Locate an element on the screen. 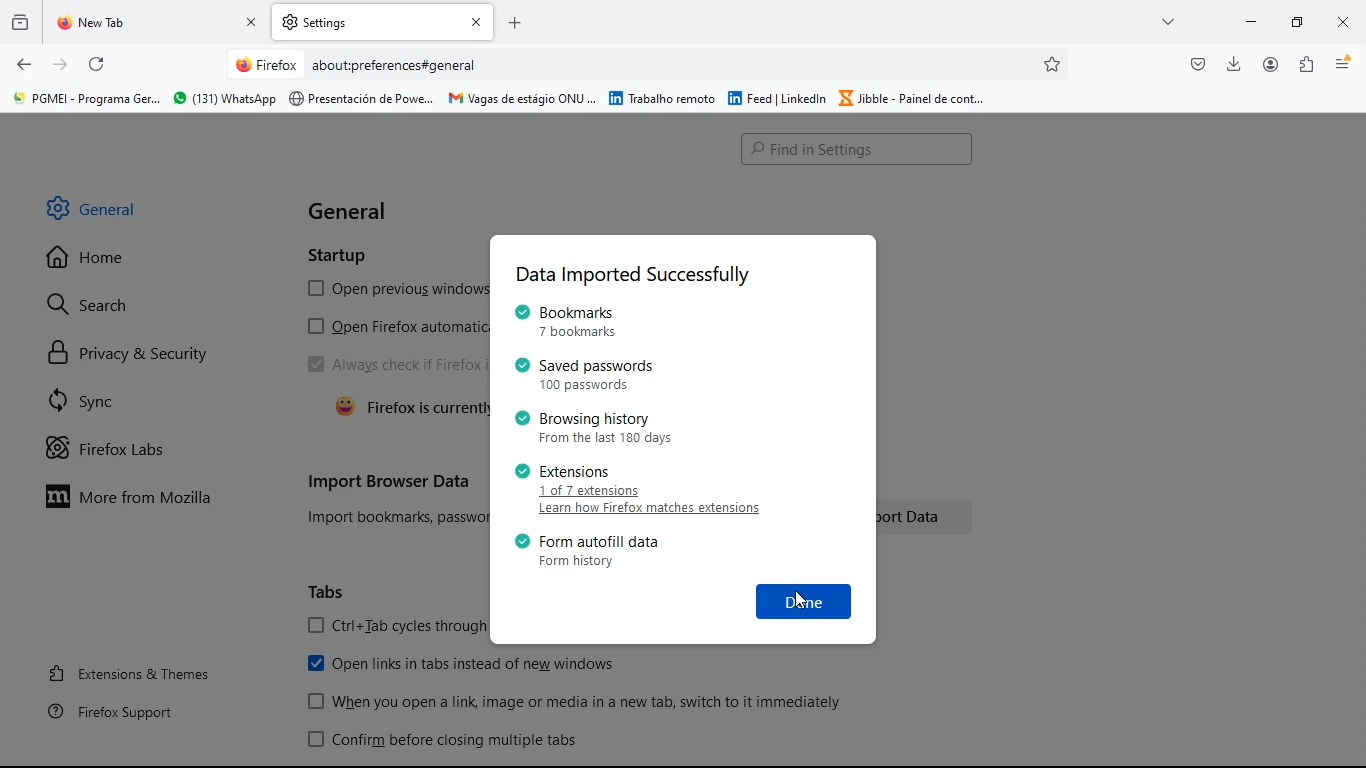 The width and height of the screenshot is (1366, 768). forward is located at coordinates (61, 66).